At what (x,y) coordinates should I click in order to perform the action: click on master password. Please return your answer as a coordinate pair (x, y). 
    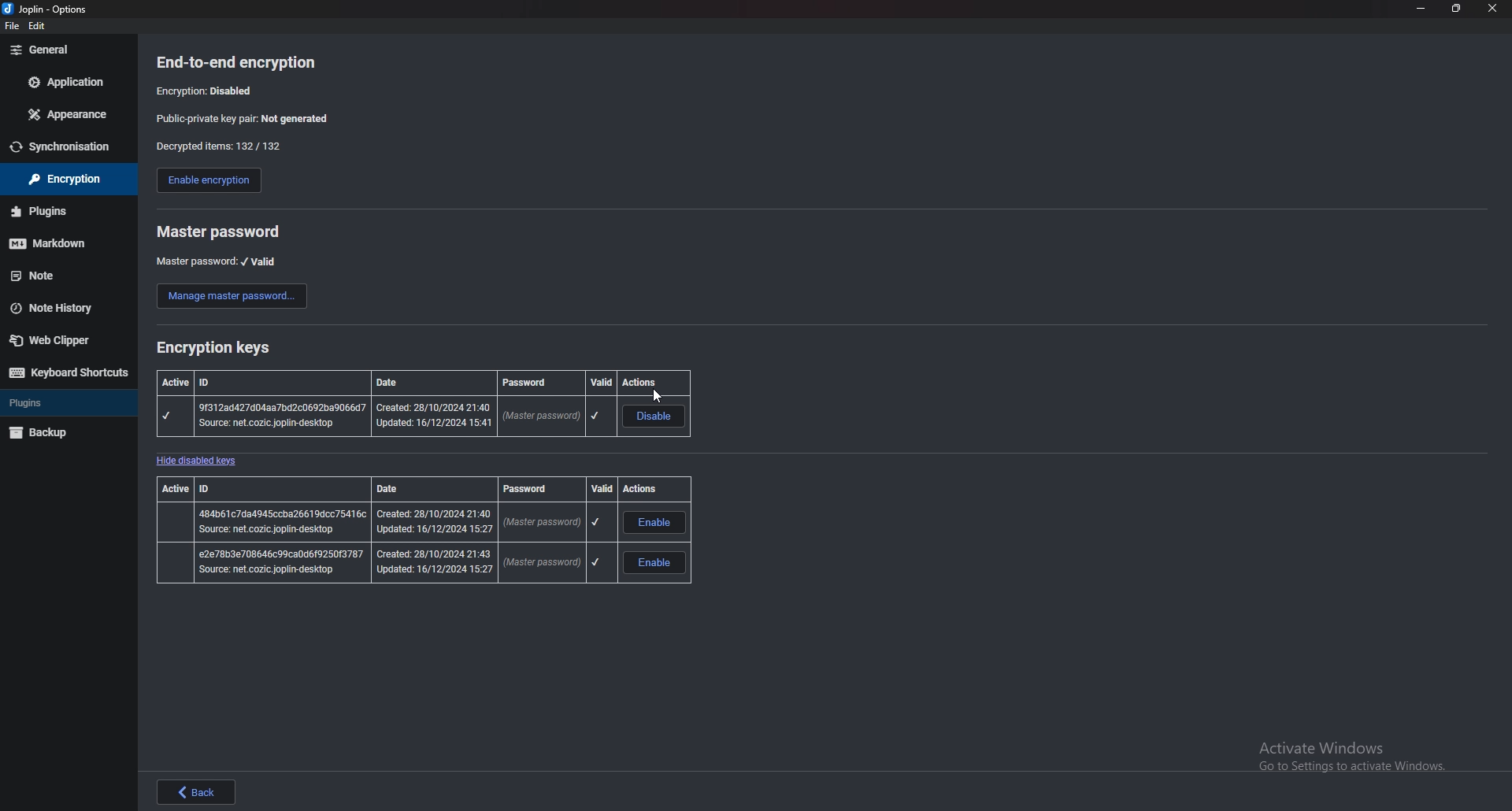
    Looking at the image, I should click on (217, 263).